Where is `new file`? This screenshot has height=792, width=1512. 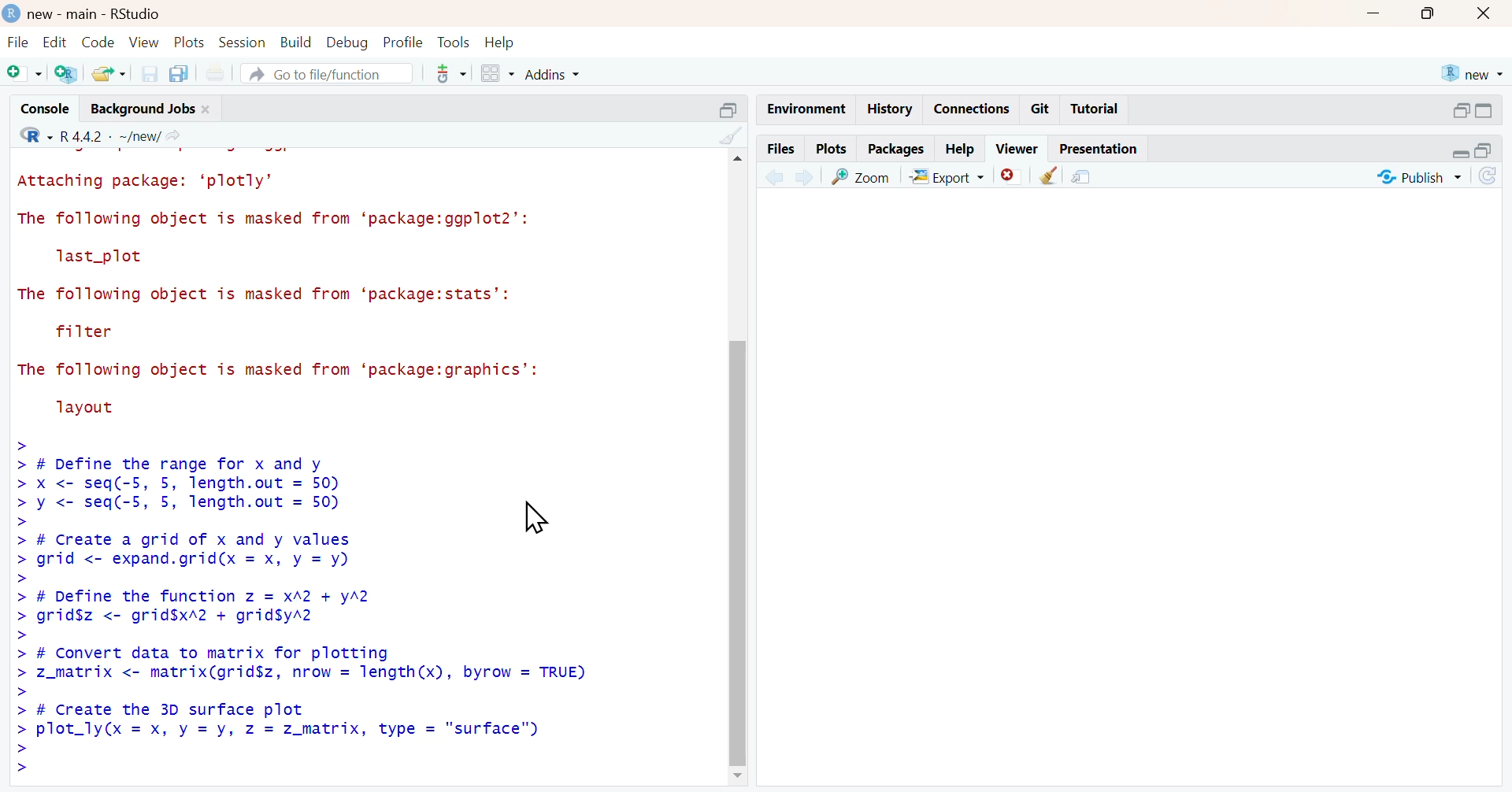
new file is located at coordinates (23, 72).